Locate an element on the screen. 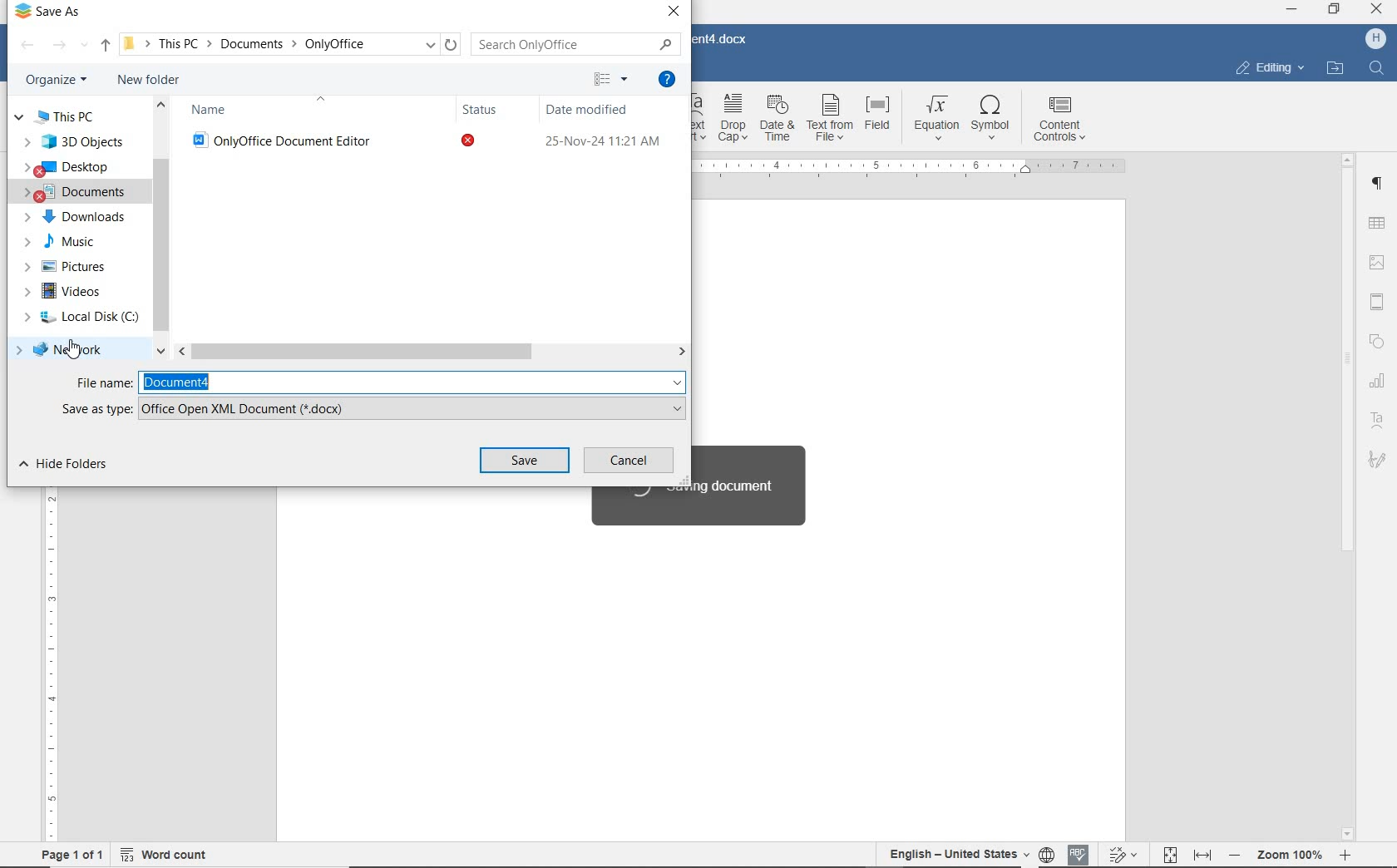 The height and width of the screenshot is (868, 1397). network is located at coordinates (72, 348).